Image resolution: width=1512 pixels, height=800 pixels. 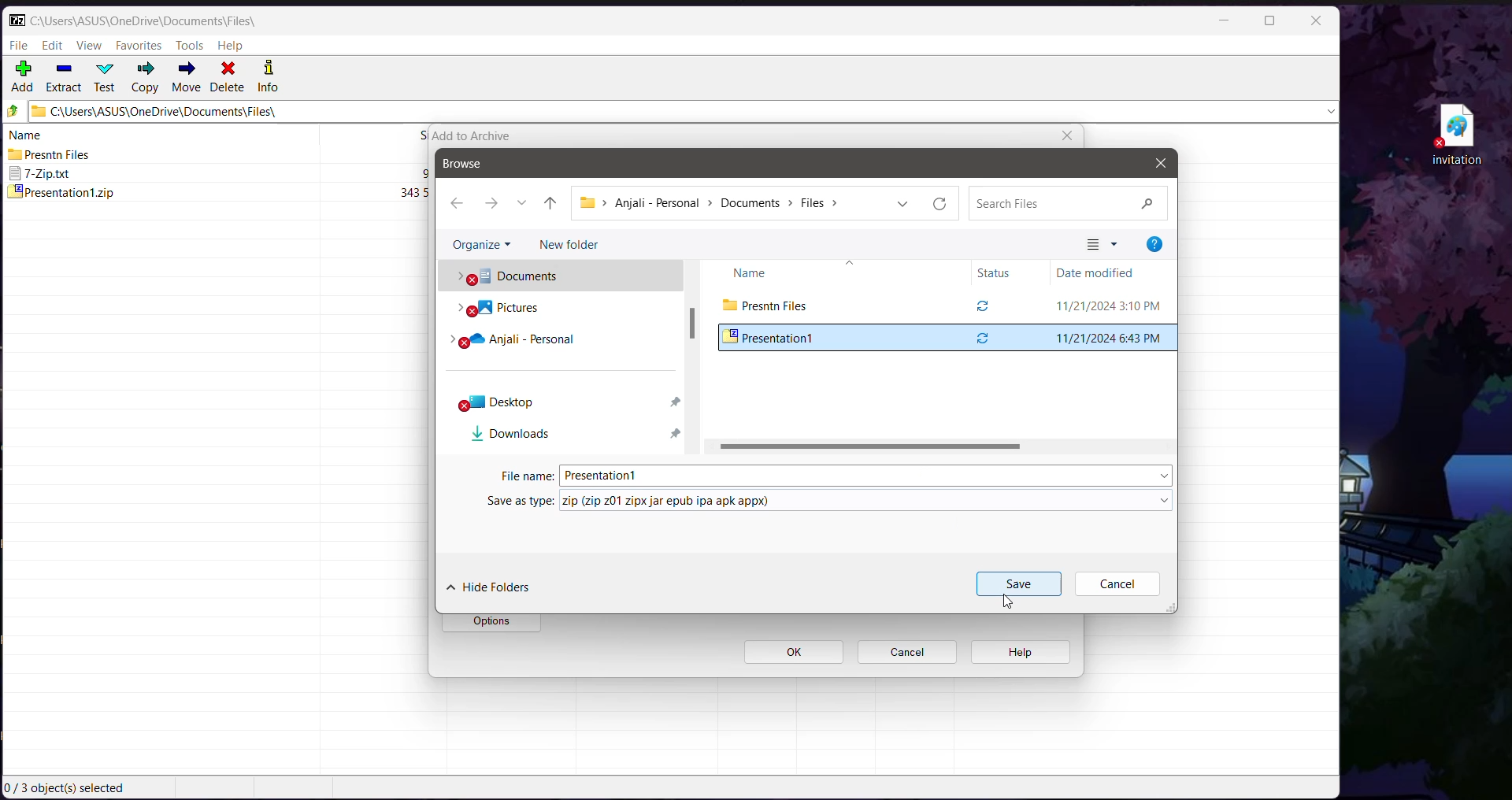 I want to click on Current Folder Path, so click(x=143, y=20).